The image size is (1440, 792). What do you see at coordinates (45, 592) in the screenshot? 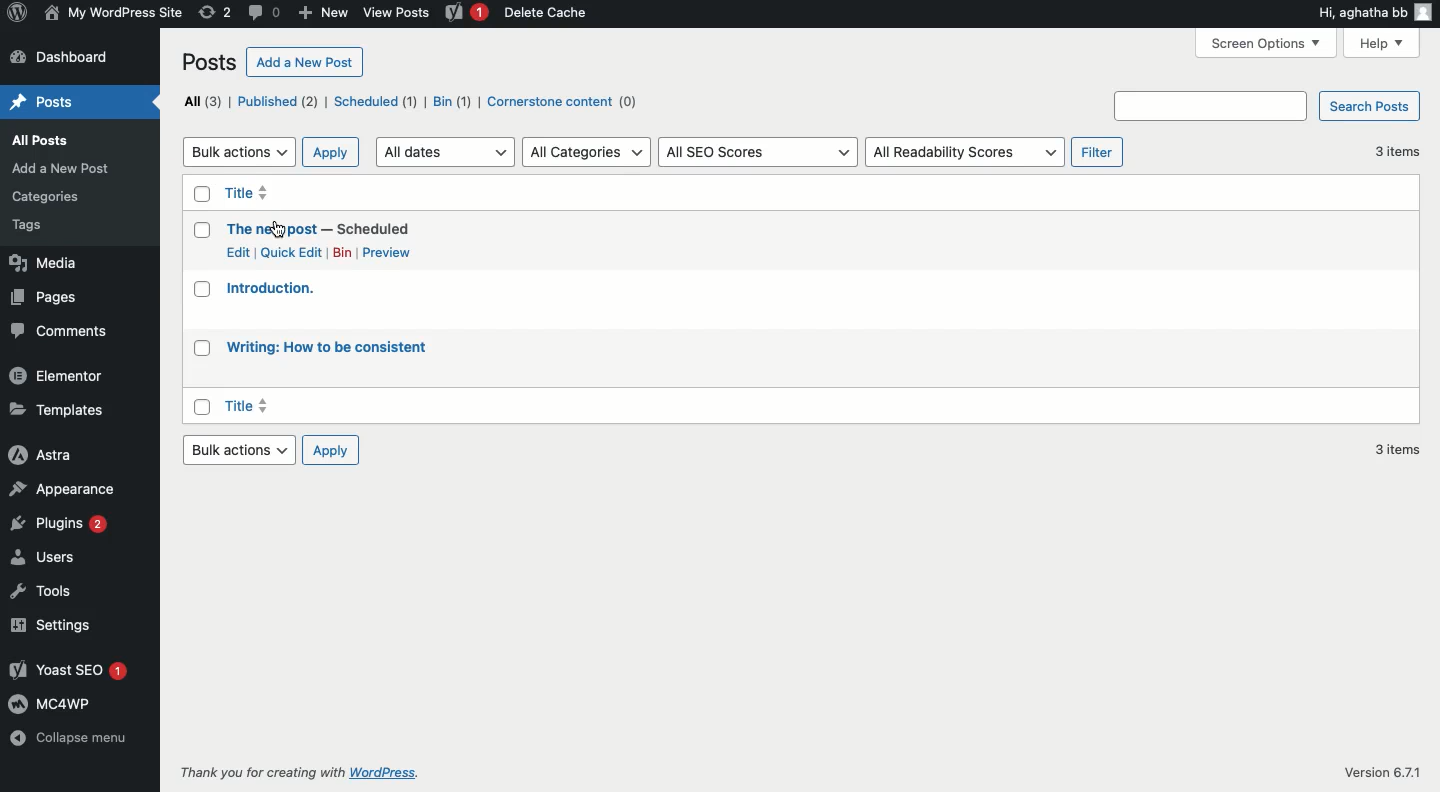
I see `Tools` at bounding box center [45, 592].